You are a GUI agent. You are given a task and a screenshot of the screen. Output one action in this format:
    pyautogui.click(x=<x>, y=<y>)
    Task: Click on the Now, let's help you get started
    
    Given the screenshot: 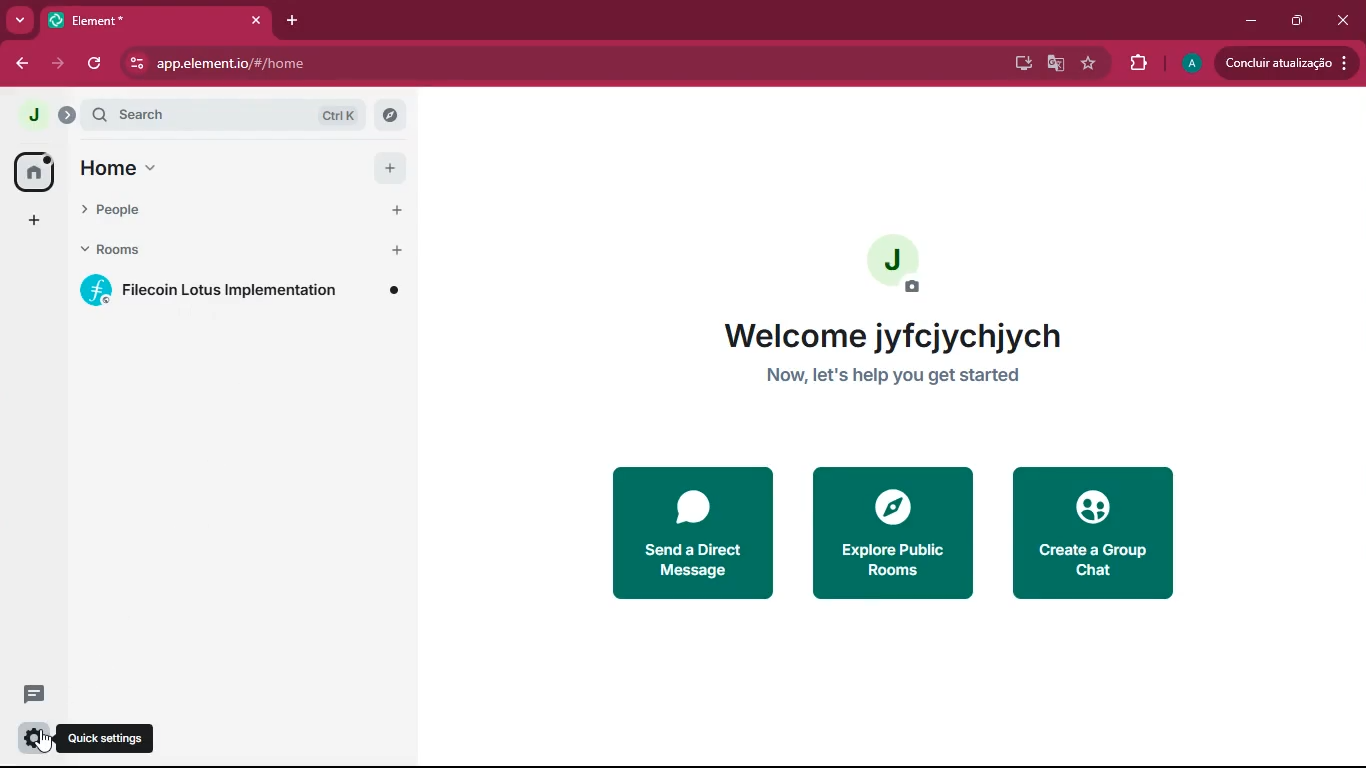 What is the action you would take?
    pyautogui.click(x=893, y=376)
    